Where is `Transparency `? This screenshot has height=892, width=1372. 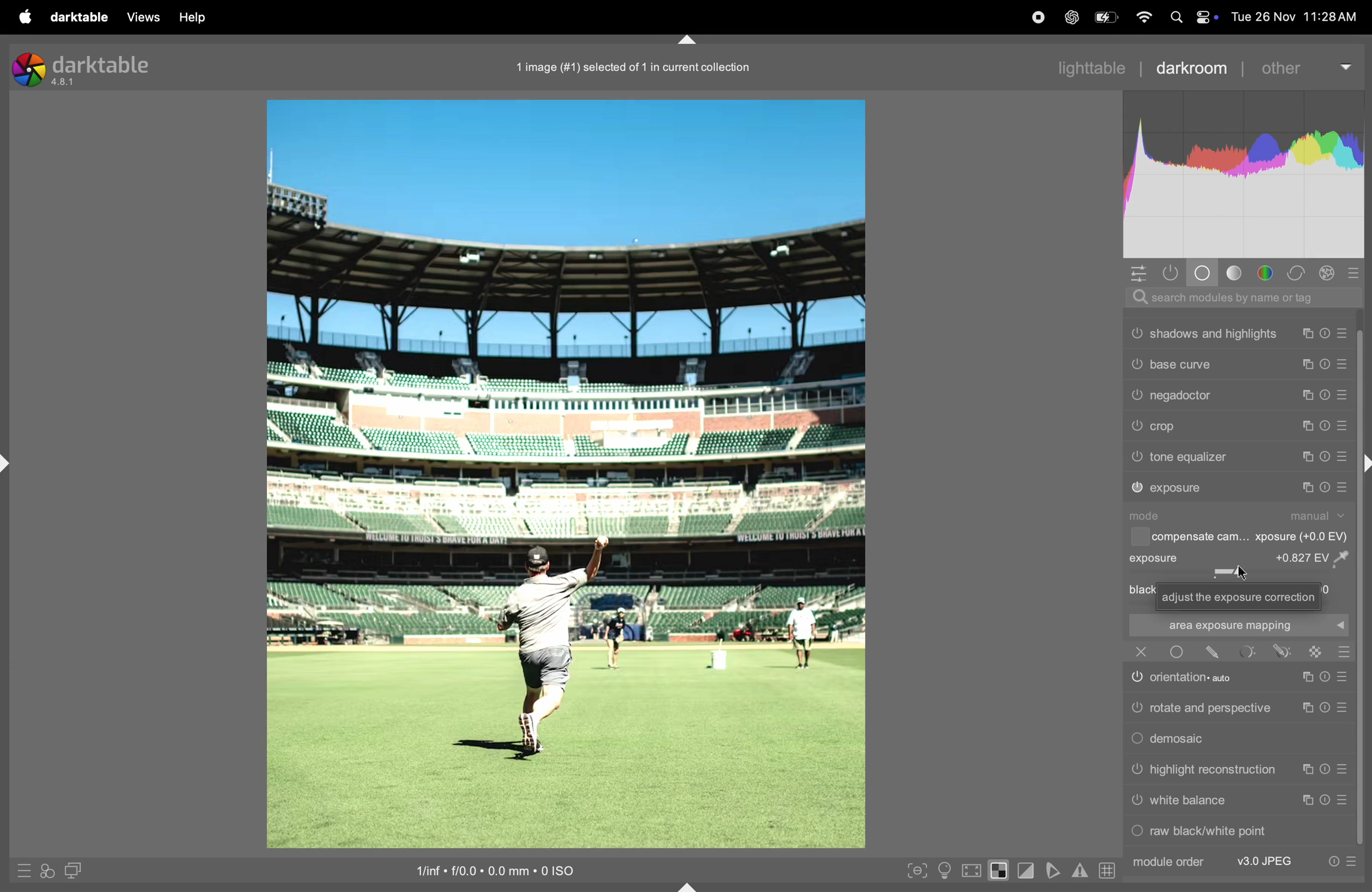 Transparency  is located at coordinates (1316, 652).